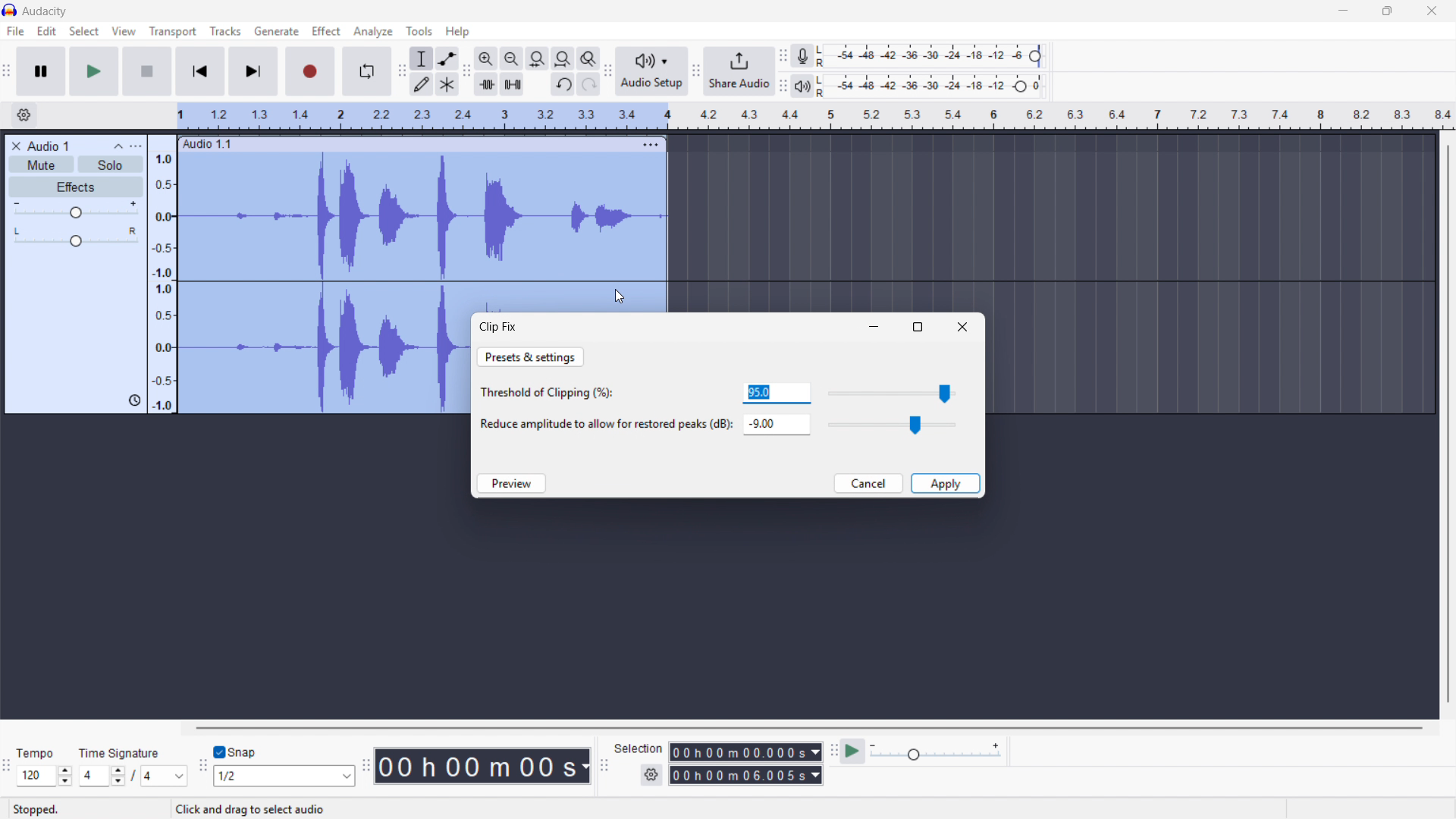  Describe the element at coordinates (6, 73) in the screenshot. I see `Transport toolbar ` at that location.